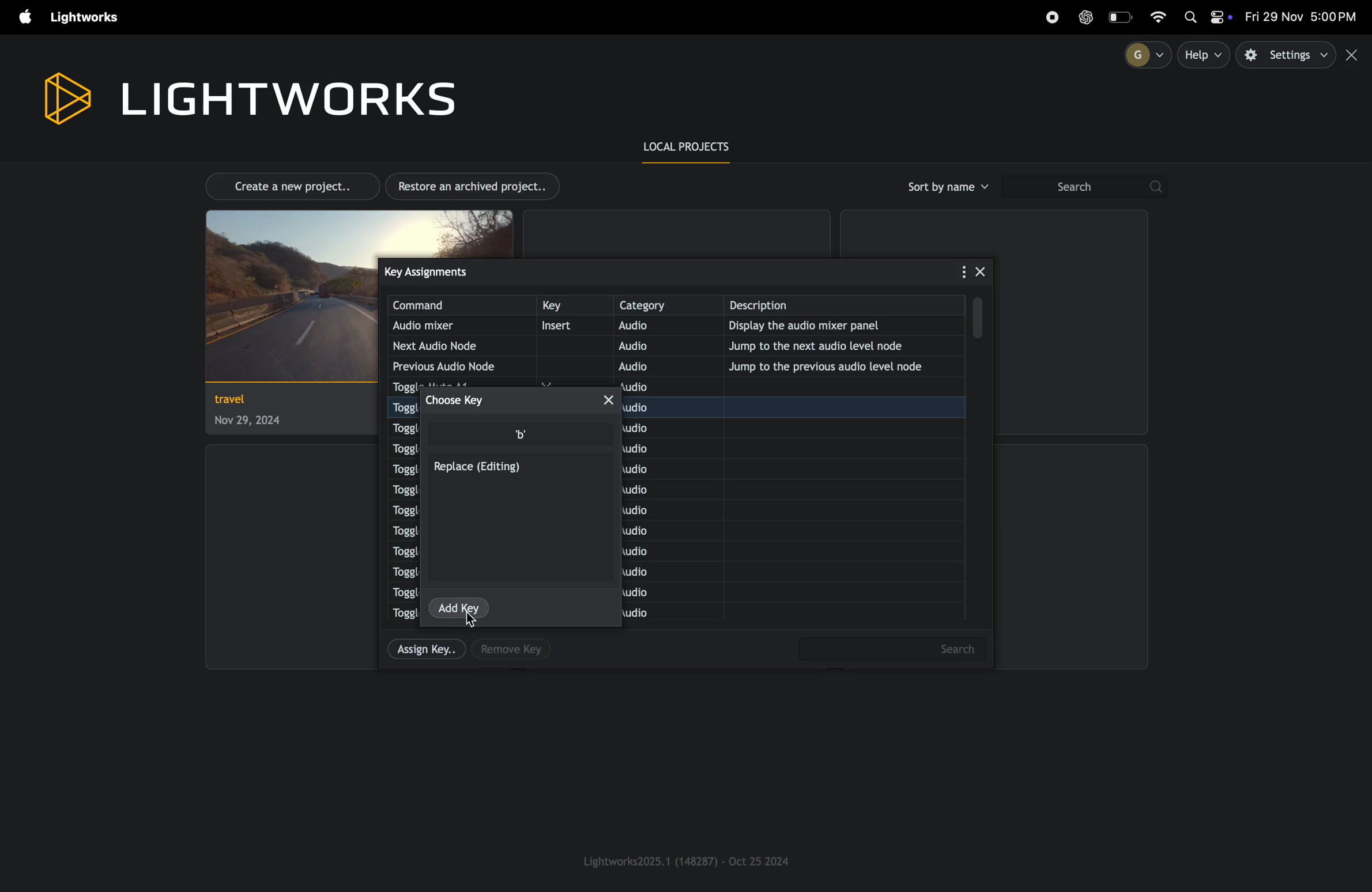 The height and width of the screenshot is (892, 1372). I want to click on command, so click(461, 305).